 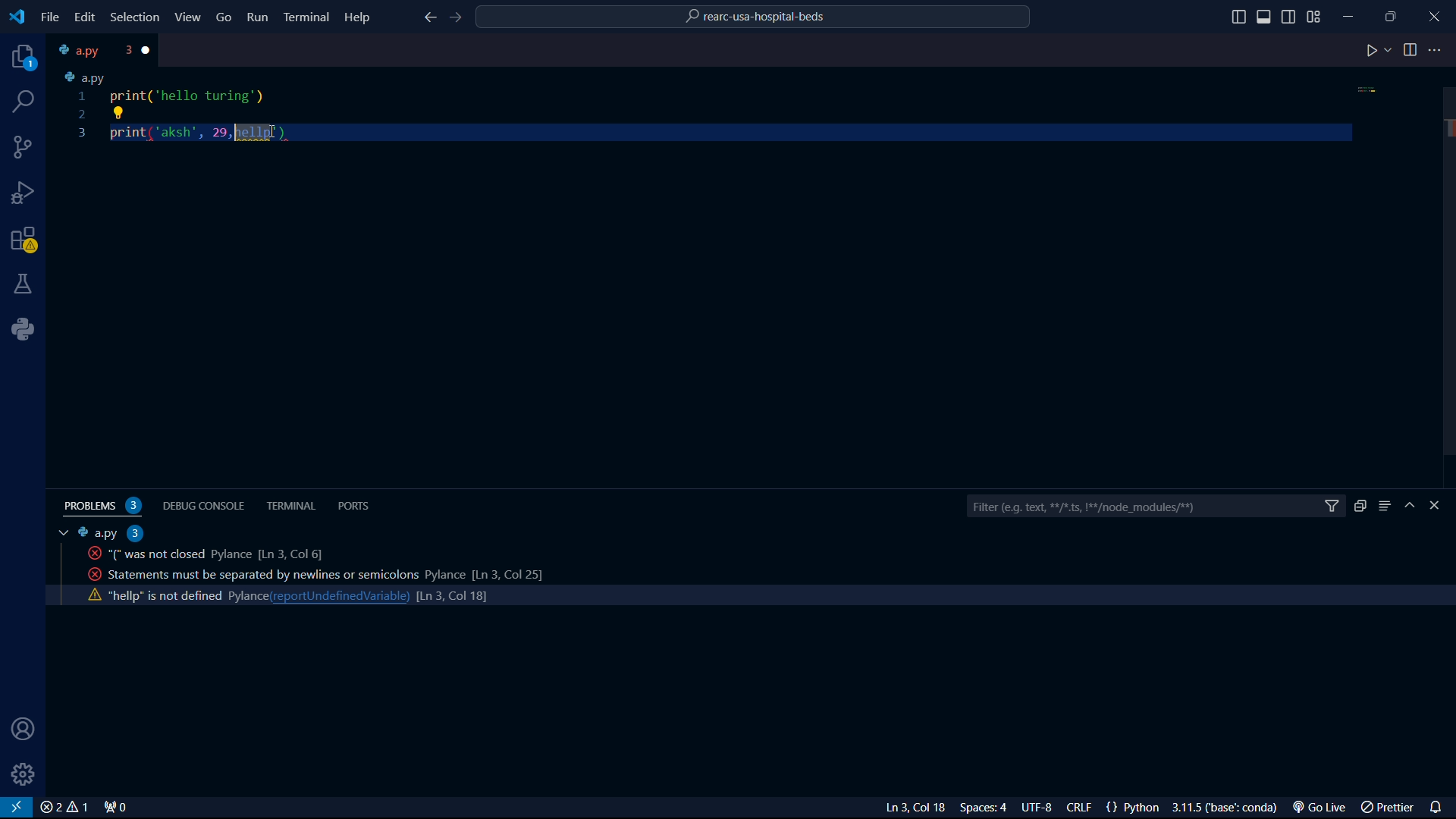 I want to click on a.py 2, so click(x=111, y=532).